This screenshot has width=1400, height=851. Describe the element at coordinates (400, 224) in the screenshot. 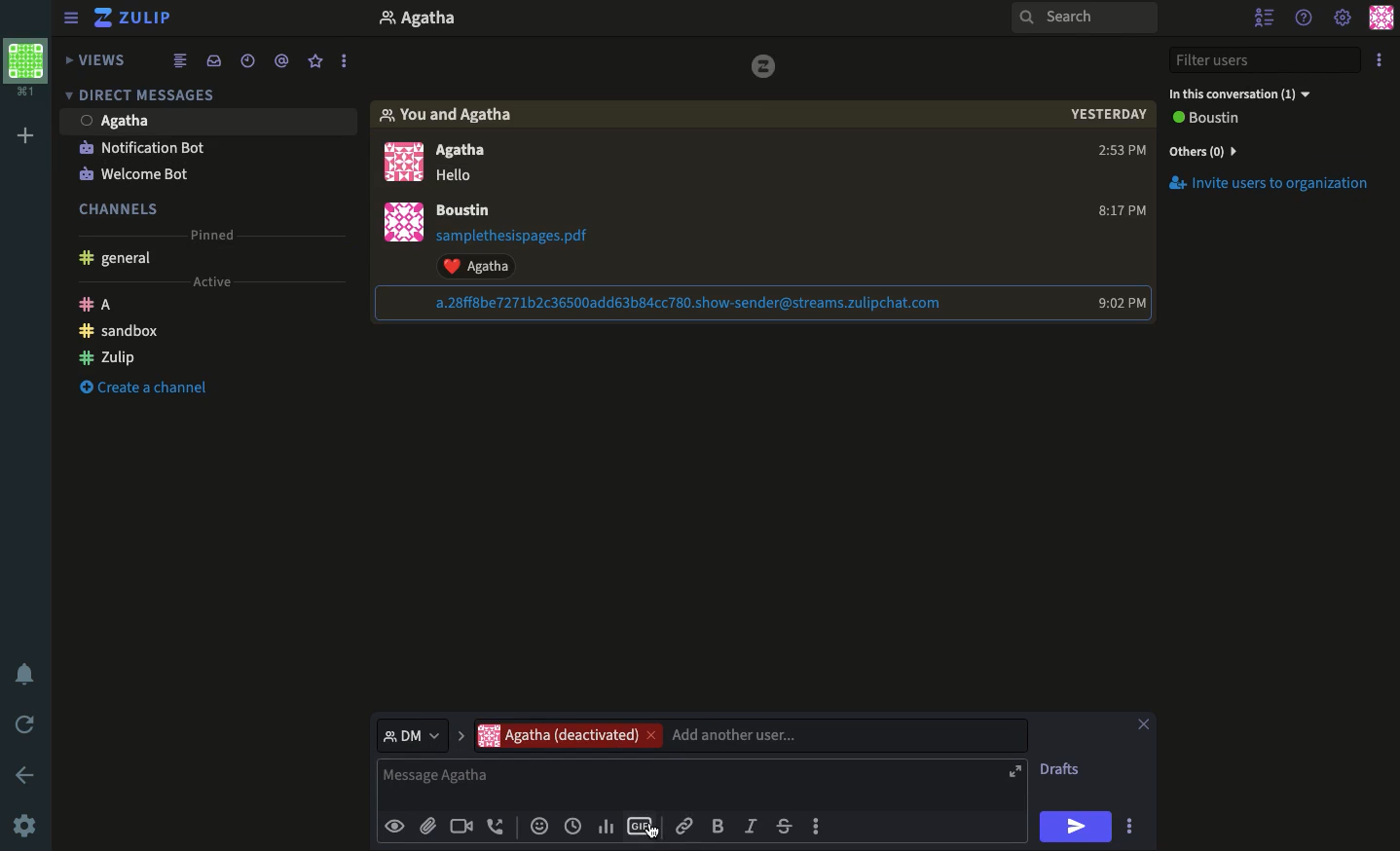

I see `Profile` at that location.